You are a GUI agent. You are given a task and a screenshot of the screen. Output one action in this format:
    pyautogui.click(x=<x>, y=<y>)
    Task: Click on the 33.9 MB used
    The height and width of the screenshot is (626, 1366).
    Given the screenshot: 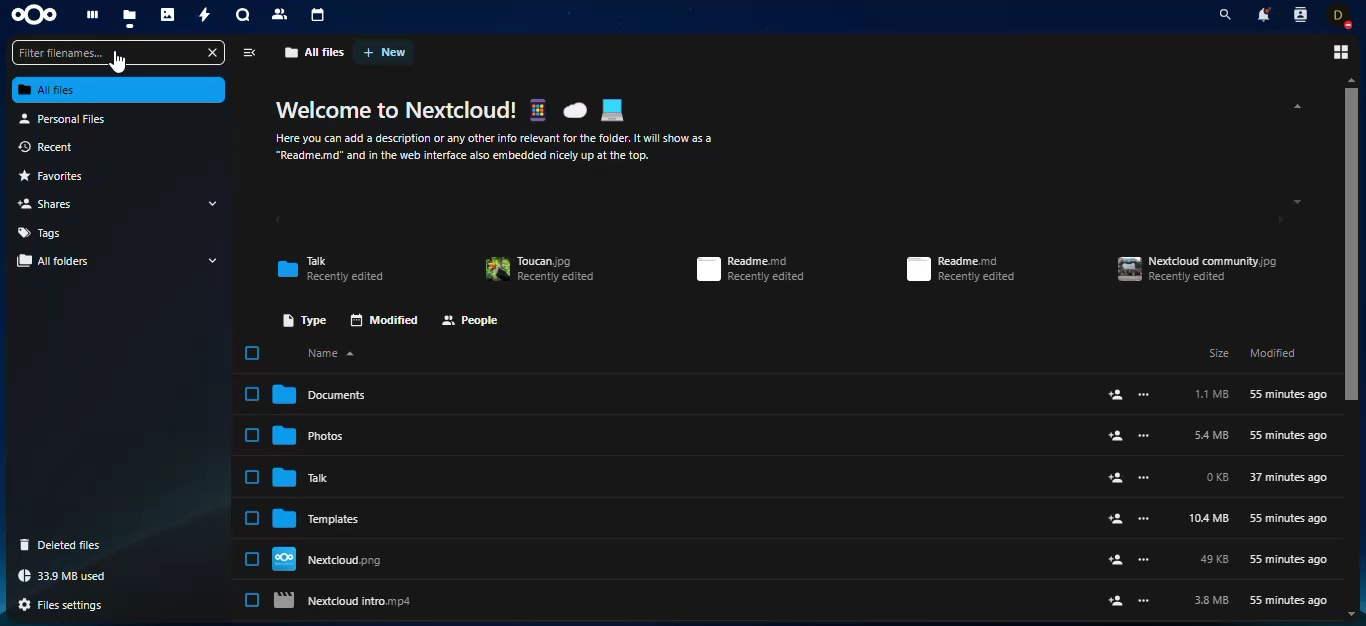 What is the action you would take?
    pyautogui.click(x=66, y=576)
    